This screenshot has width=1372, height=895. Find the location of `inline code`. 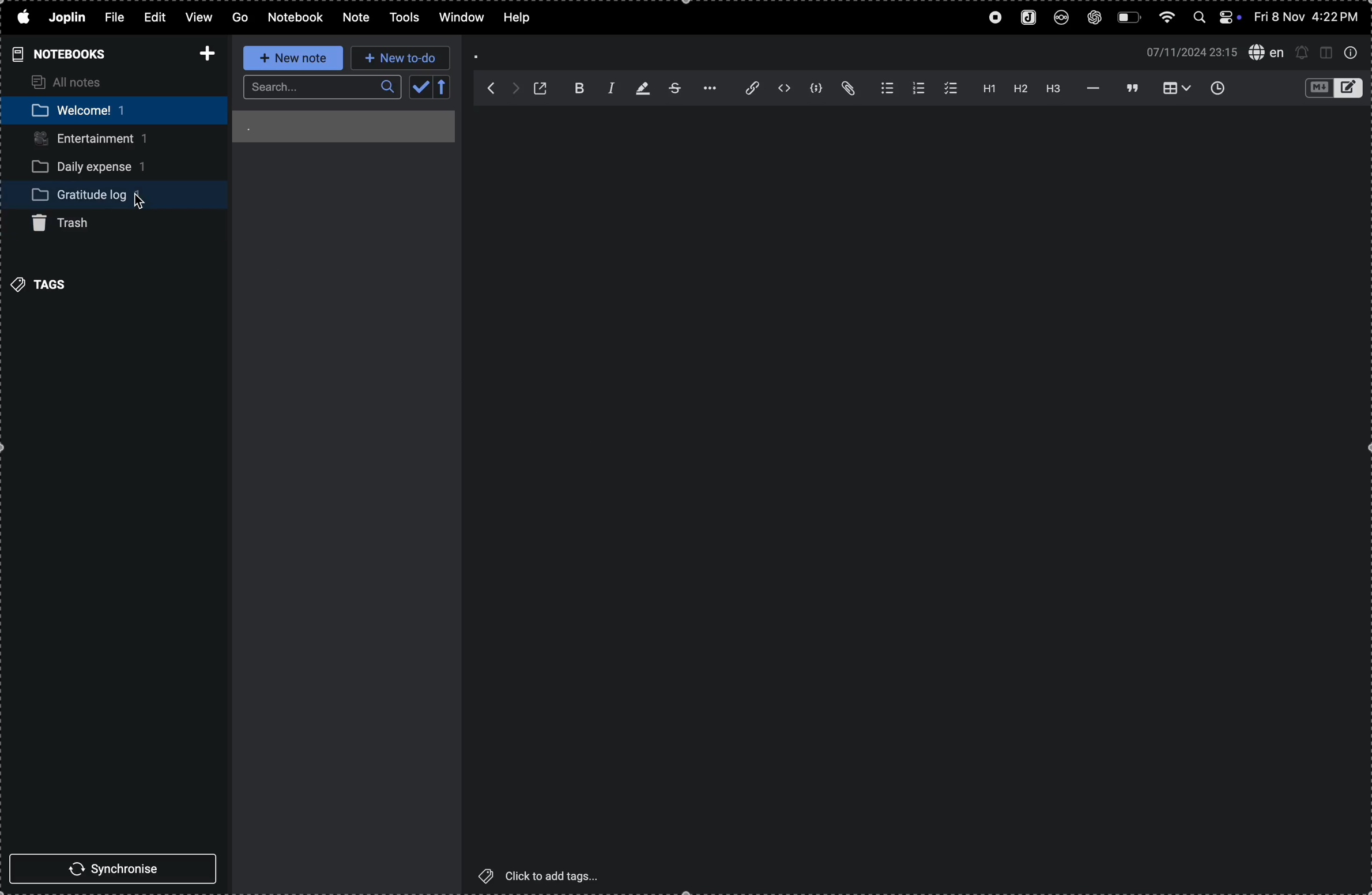

inline code is located at coordinates (785, 89).